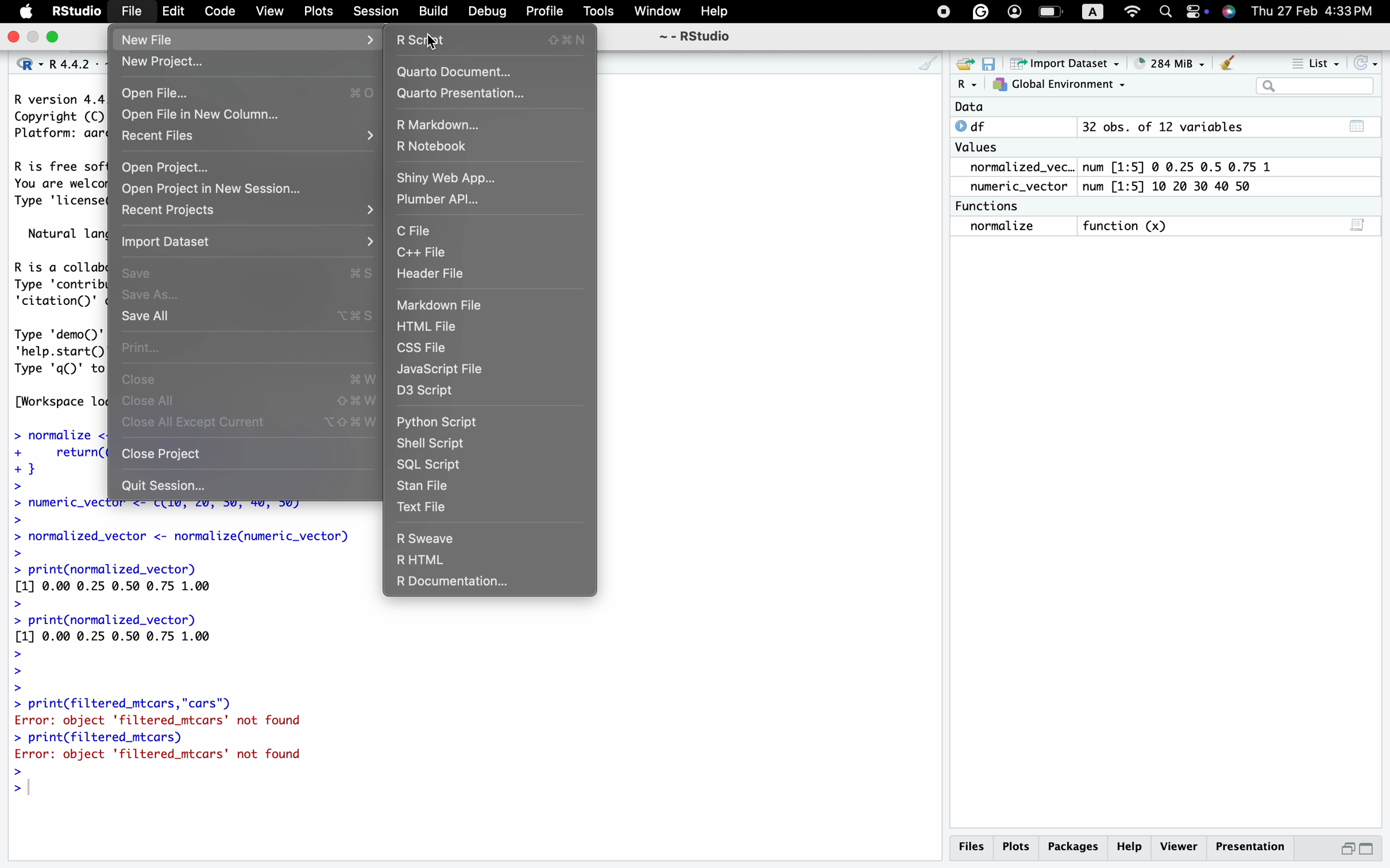  What do you see at coordinates (130, 10) in the screenshot?
I see `Filen` at bounding box center [130, 10].